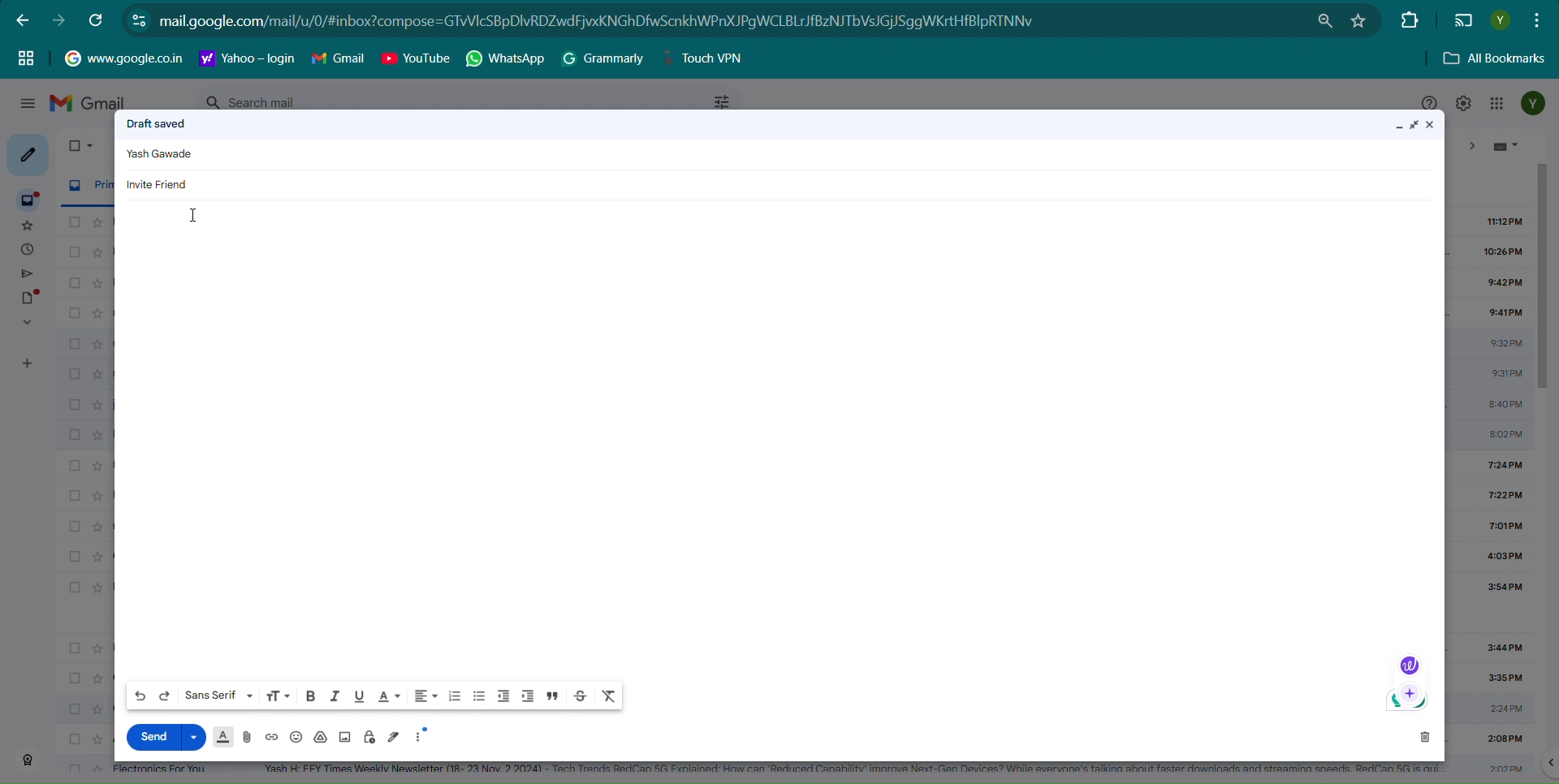  I want to click on Insert Link, so click(270, 737).